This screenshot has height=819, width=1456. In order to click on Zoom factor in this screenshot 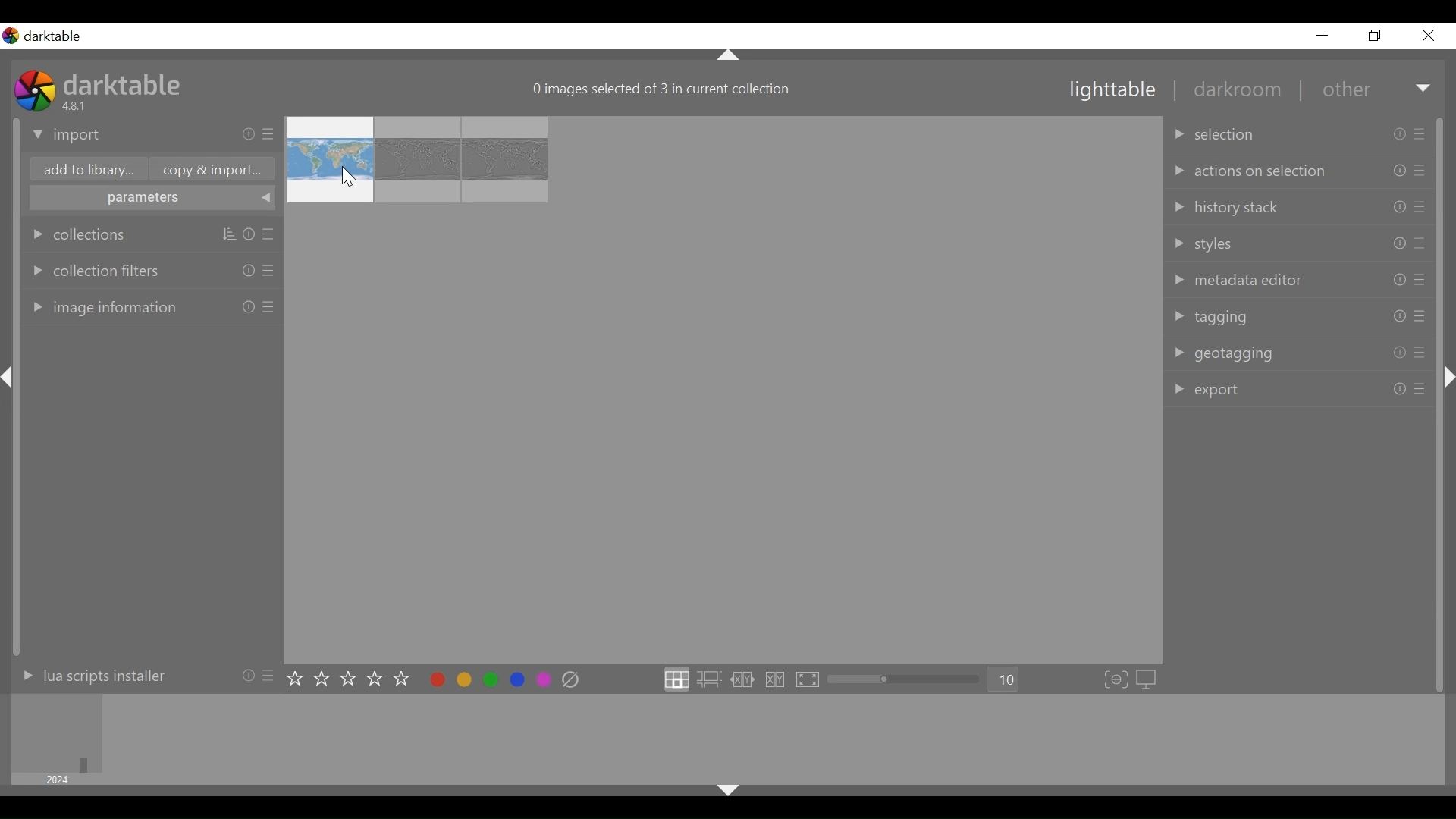, I will do `click(1007, 679)`.